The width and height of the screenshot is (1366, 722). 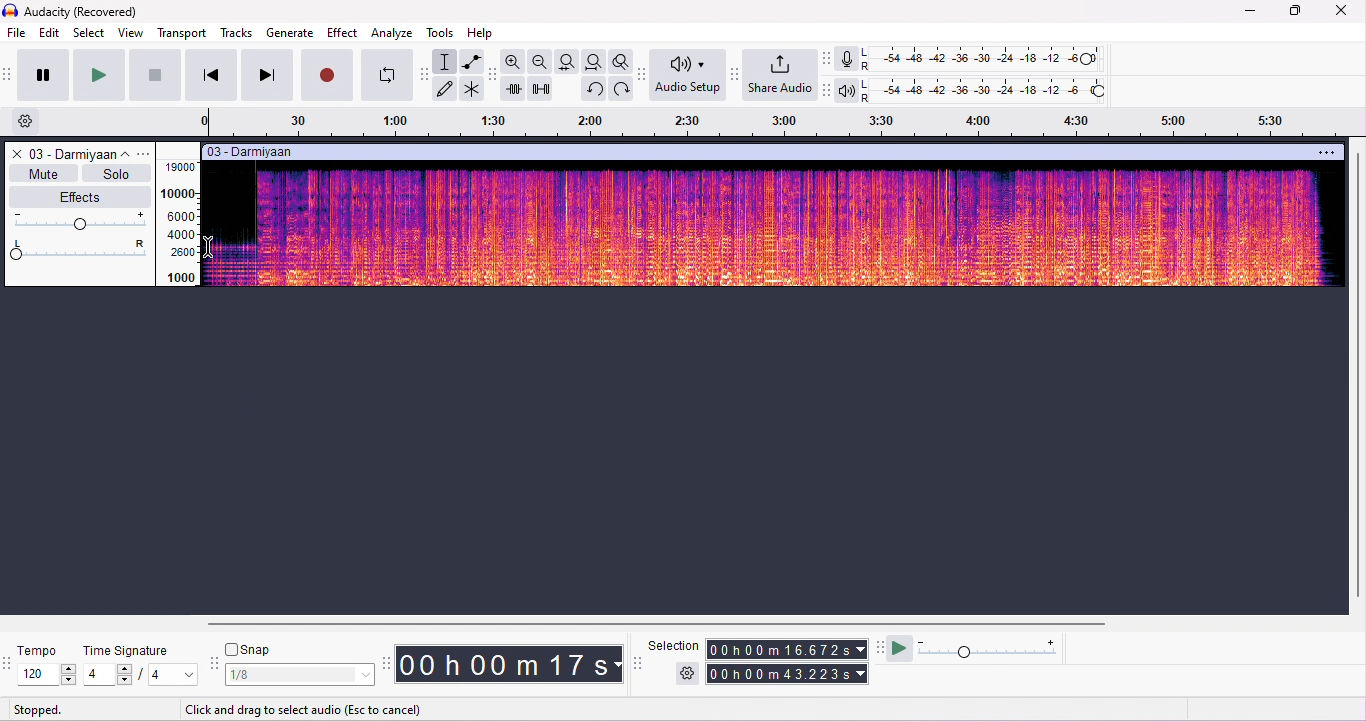 What do you see at coordinates (1294, 13) in the screenshot?
I see `maximize` at bounding box center [1294, 13].